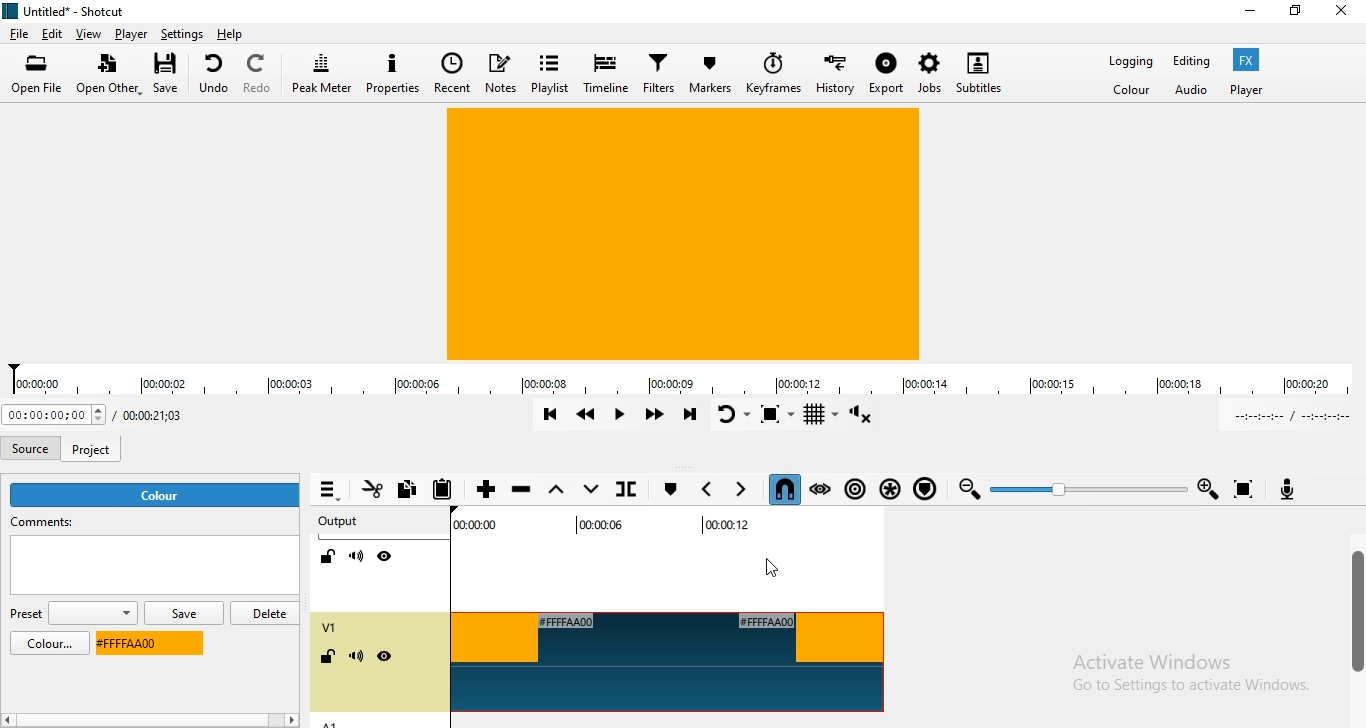 The width and height of the screenshot is (1366, 728). What do you see at coordinates (181, 34) in the screenshot?
I see `Settings` at bounding box center [181, 34].